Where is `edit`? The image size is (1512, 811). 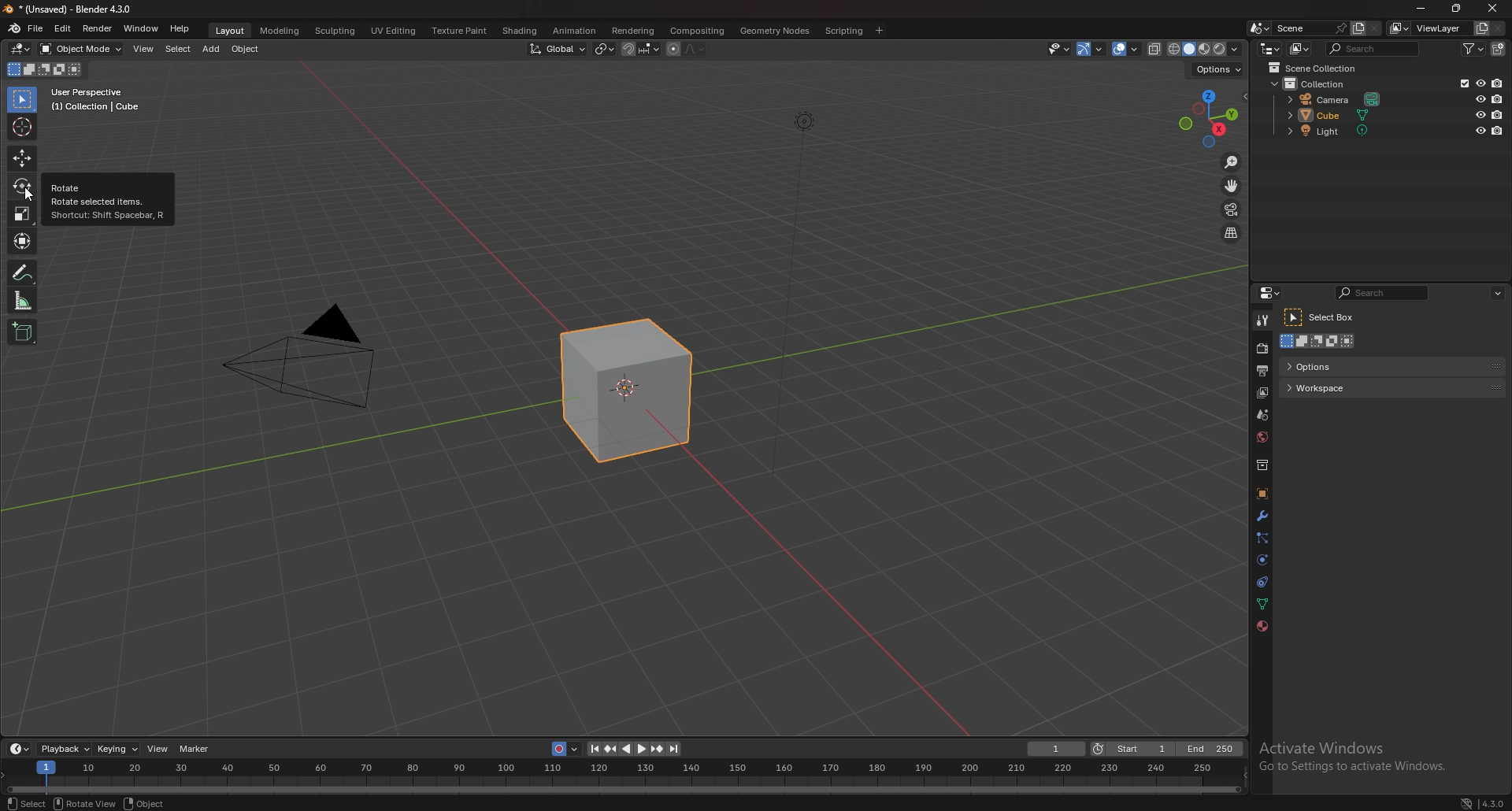
edit is located at coordinates (62, 28).